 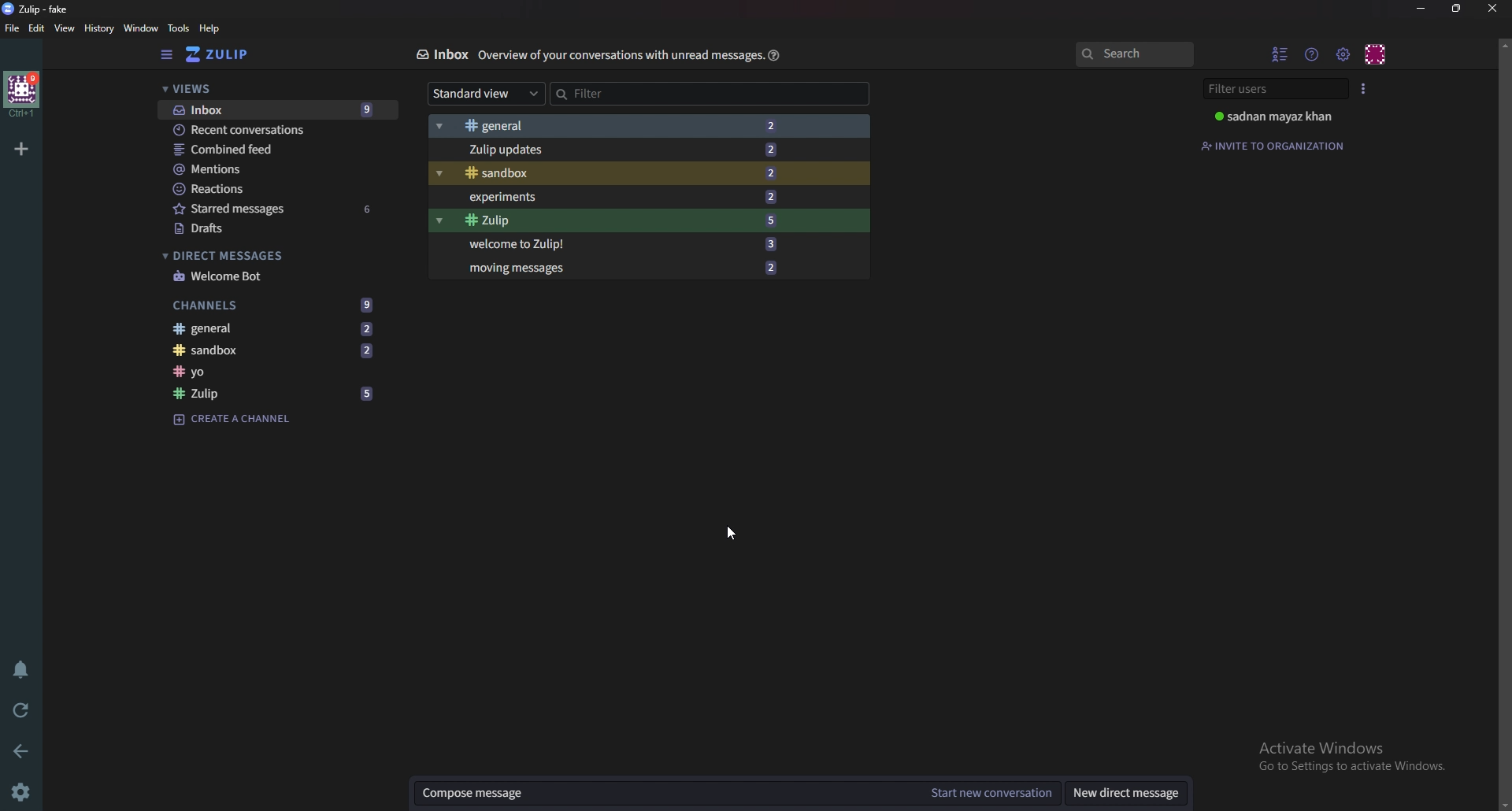 What do you see at coordinates (1343, 54) in the screenshot?
I see `main menu` at bounding box center [1343, 54].